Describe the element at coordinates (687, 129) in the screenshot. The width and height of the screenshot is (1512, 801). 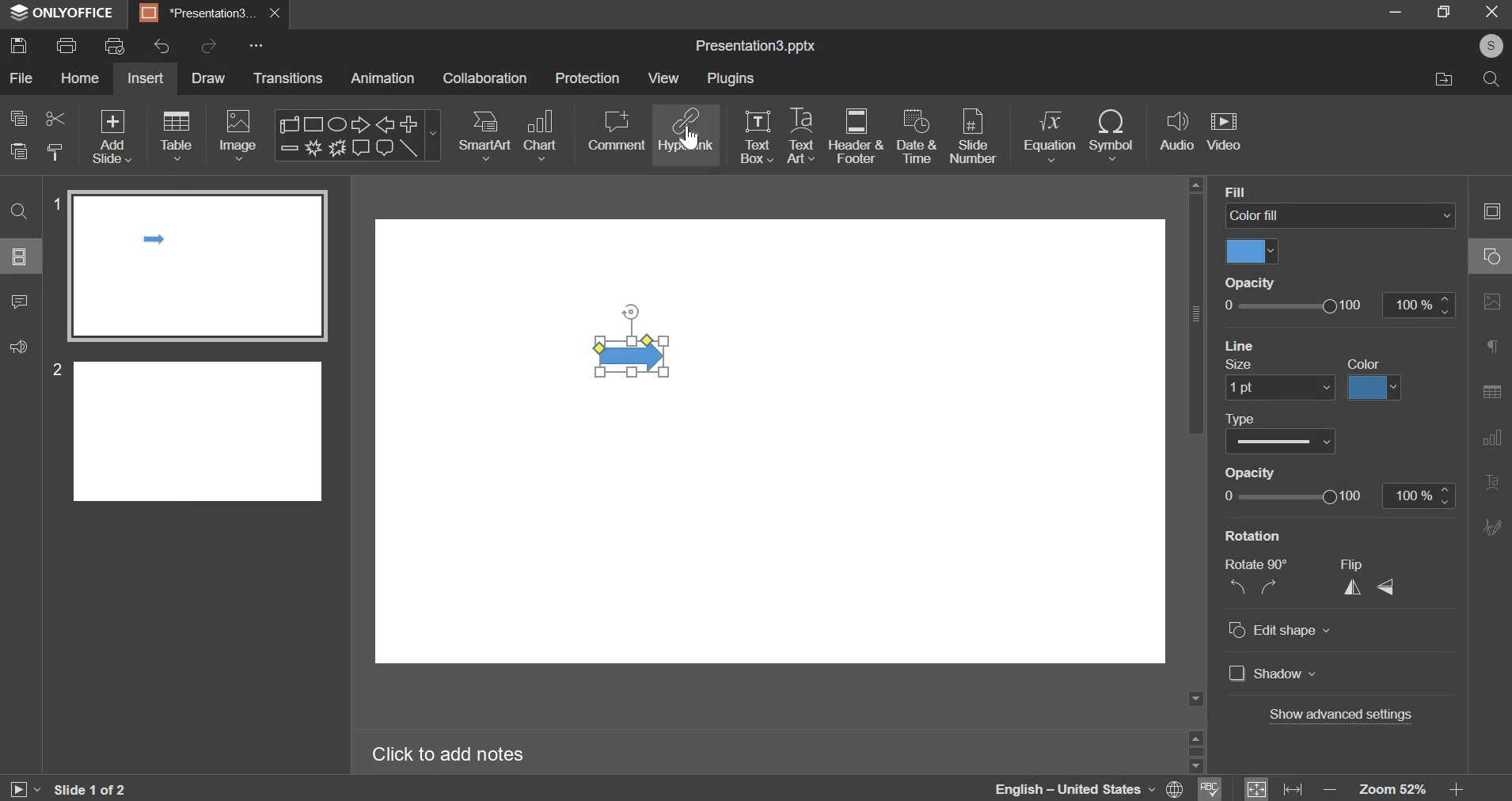
I see `hyperlink` at that location.